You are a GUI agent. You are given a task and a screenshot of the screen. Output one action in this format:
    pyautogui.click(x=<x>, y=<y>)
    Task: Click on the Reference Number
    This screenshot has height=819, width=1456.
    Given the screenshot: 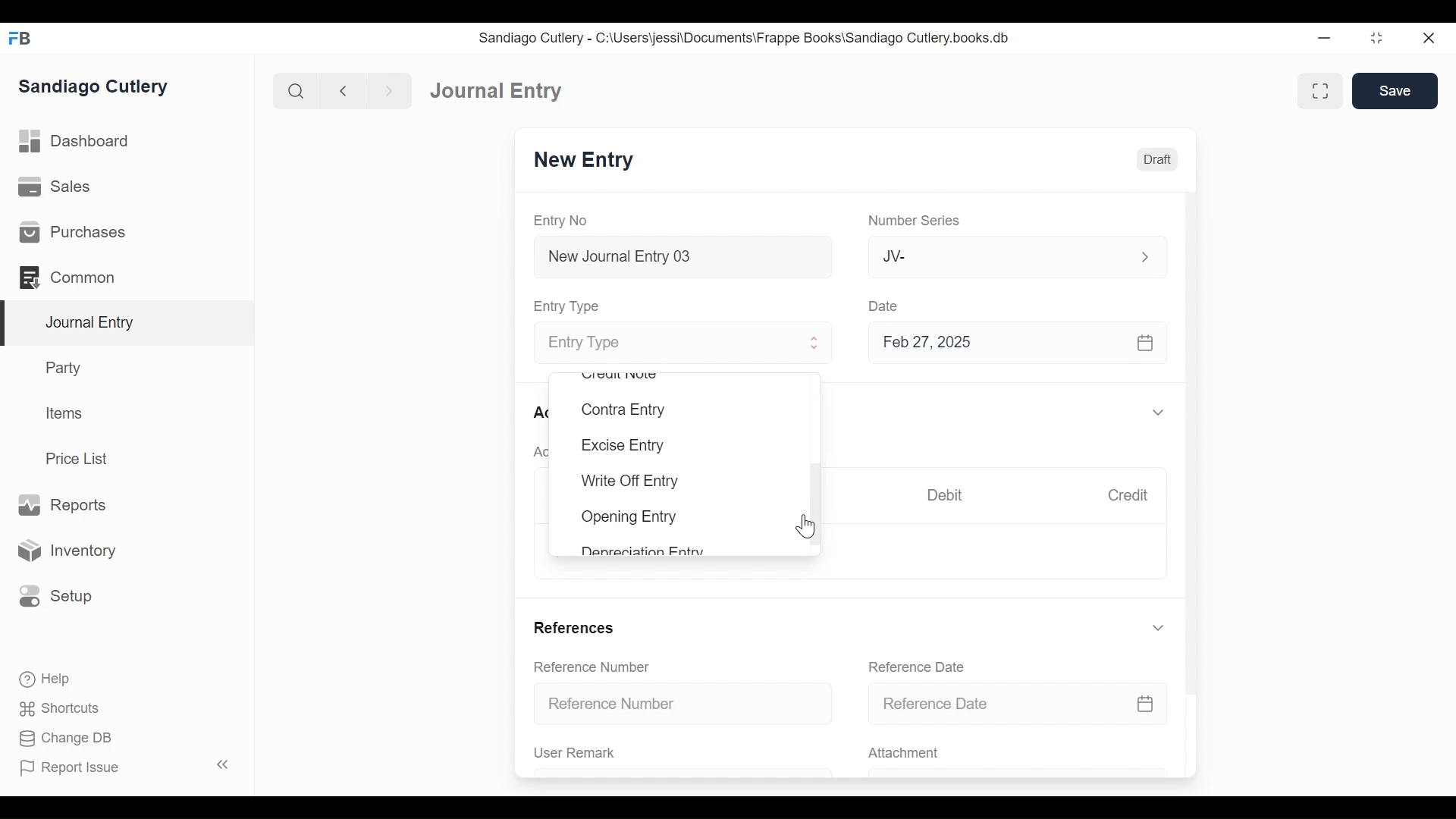 What is the action you would take?
    pyautogui.click(x=592, y=667)
    